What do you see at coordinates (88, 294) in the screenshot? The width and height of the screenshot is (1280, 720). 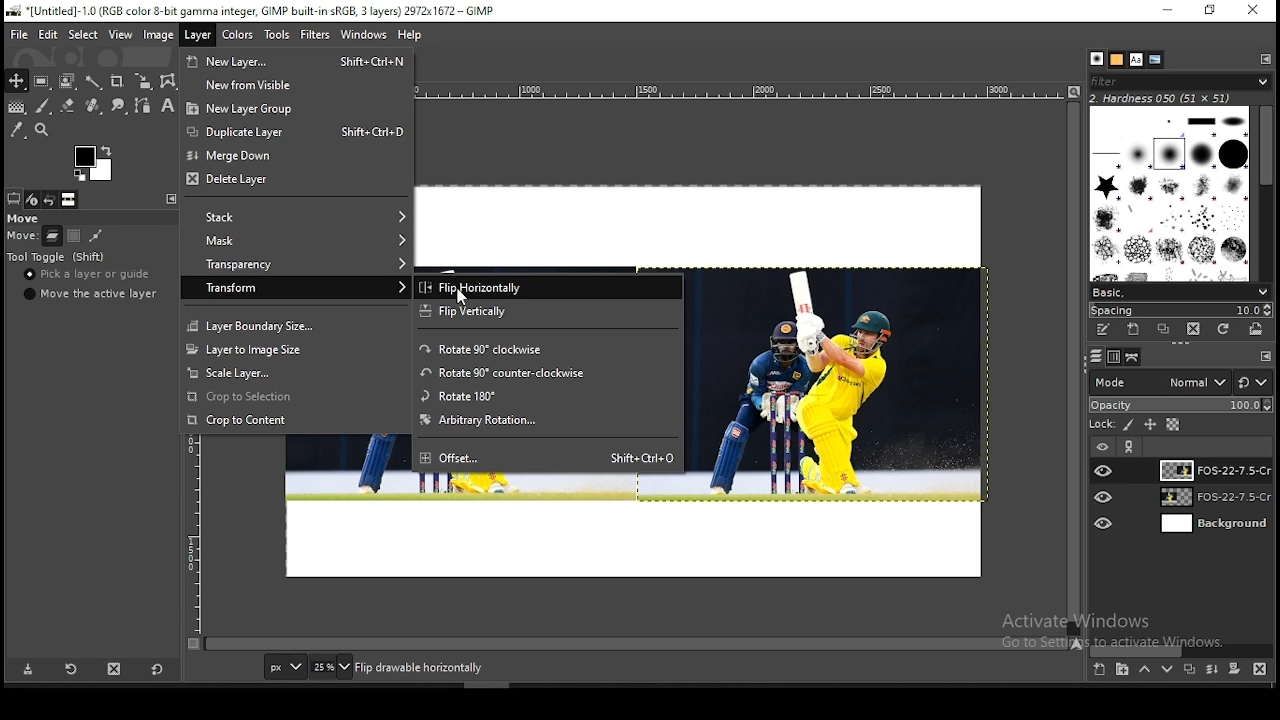 I see `move the active layer` at bounding box center [88, 294].